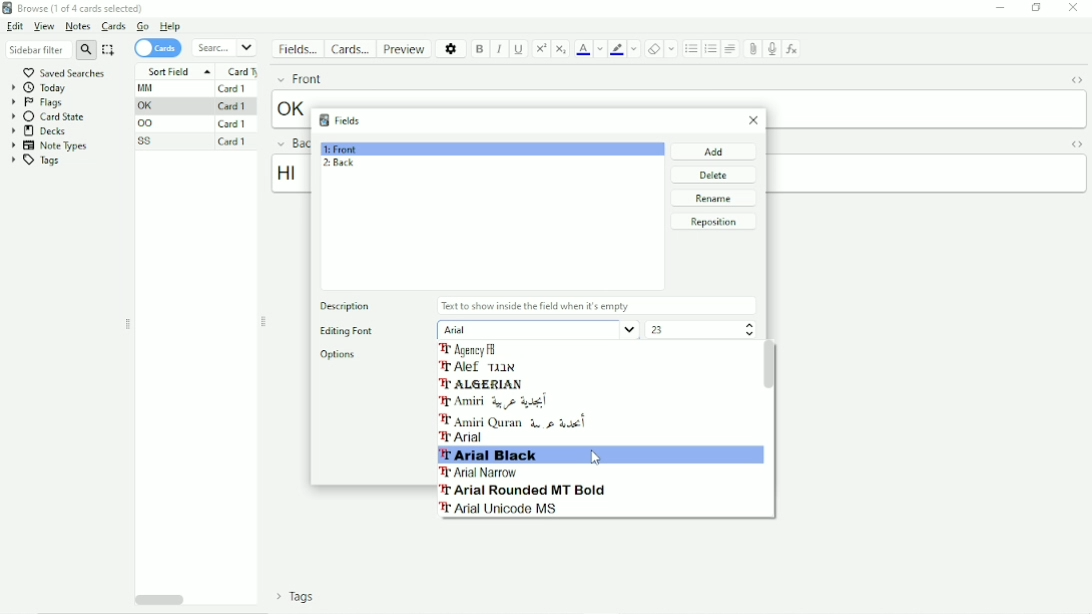 This screenshot has width=1092, height=614. What do you see at coordinates (340, 356) in the screenshot?
I see `Options` at bounding box center [340, 356].